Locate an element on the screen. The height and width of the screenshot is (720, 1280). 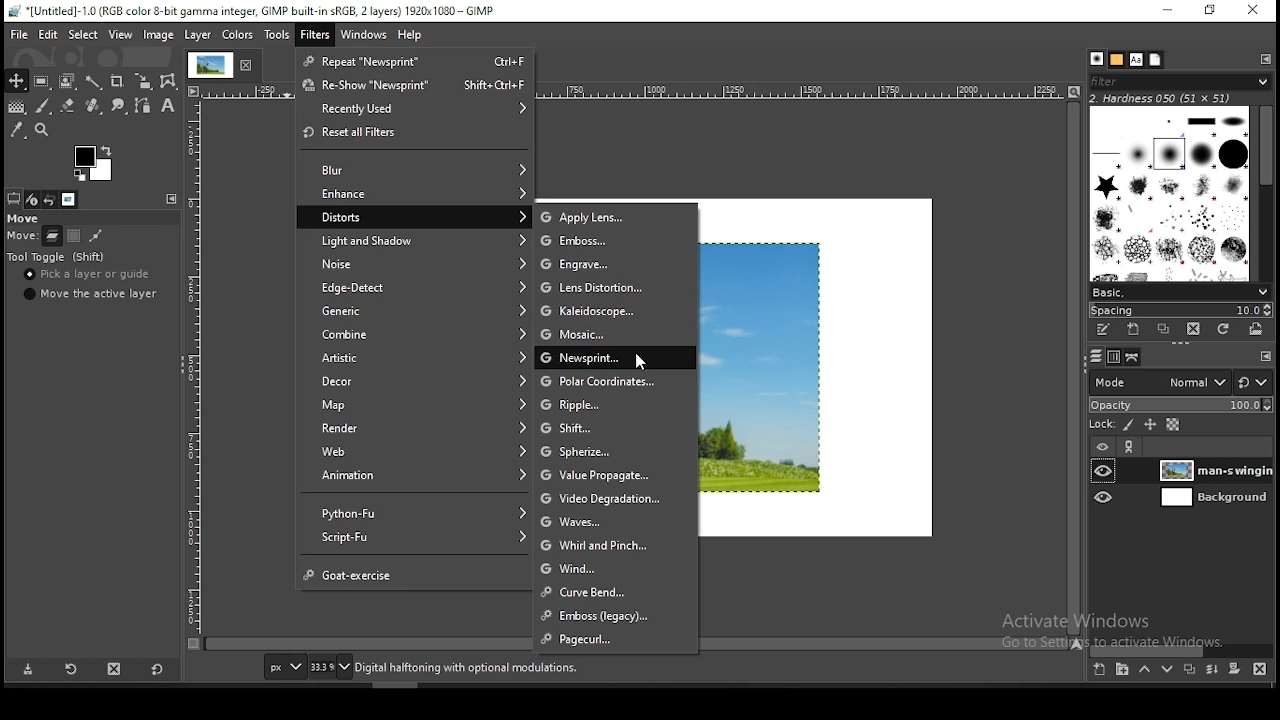
configure this tab is located at coordinates (175, 199).